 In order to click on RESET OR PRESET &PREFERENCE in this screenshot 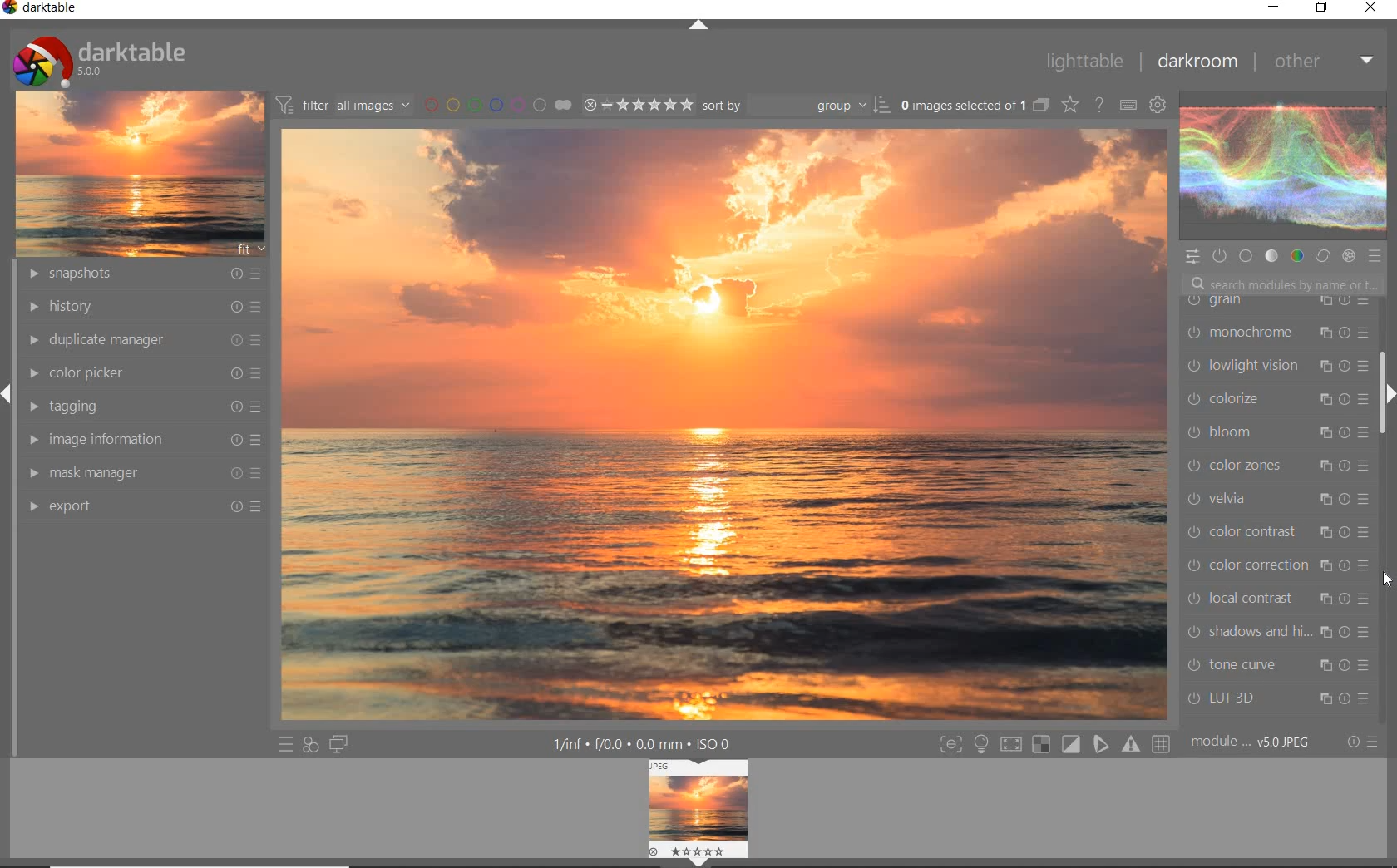, I will do `click(1363, 742)`.